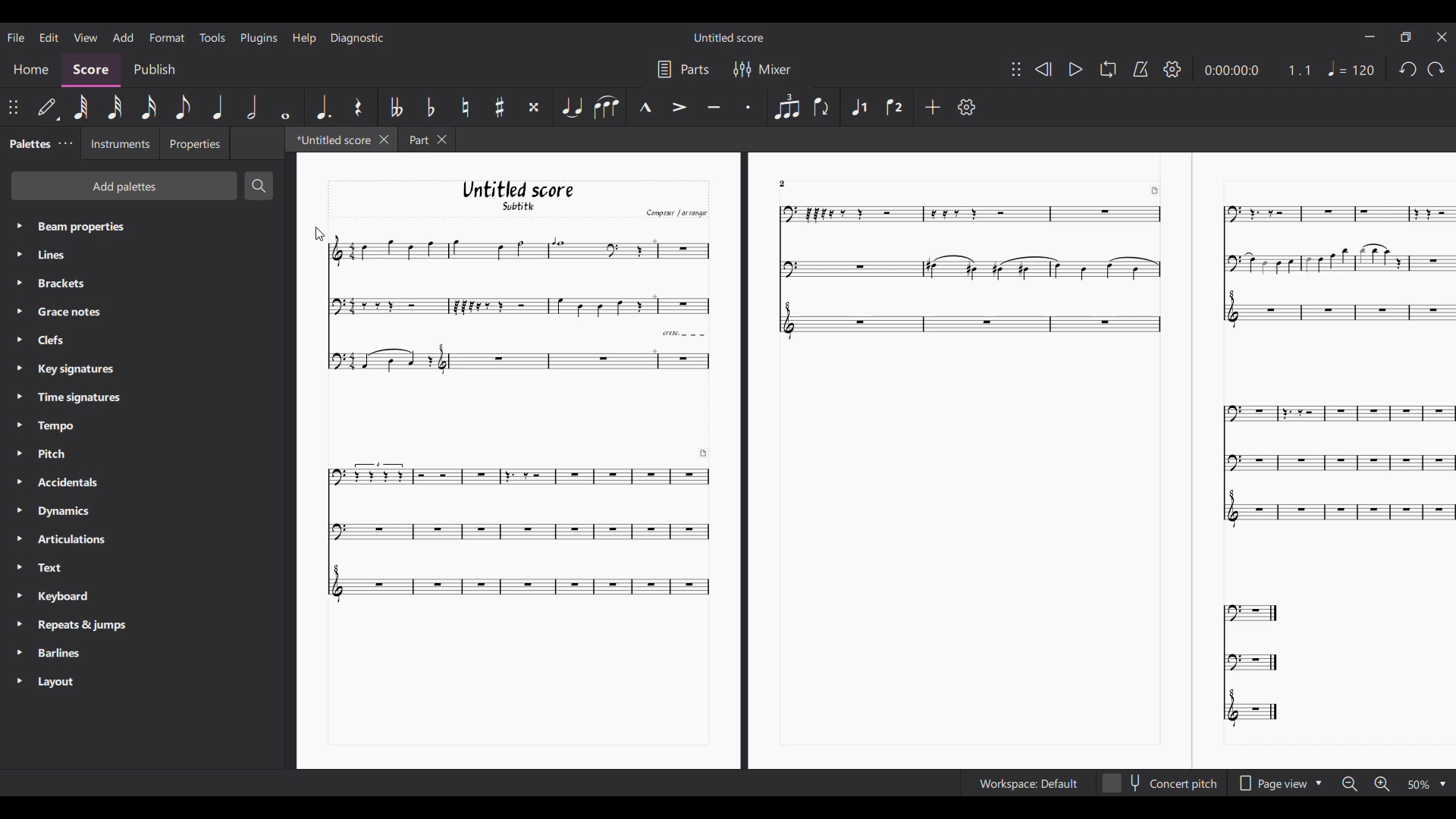 The height and width of the screenshot is (819, 1456). Describe the element at coordinates (397, 106) in the screenshot. I see `Toggle double flat` at that location.